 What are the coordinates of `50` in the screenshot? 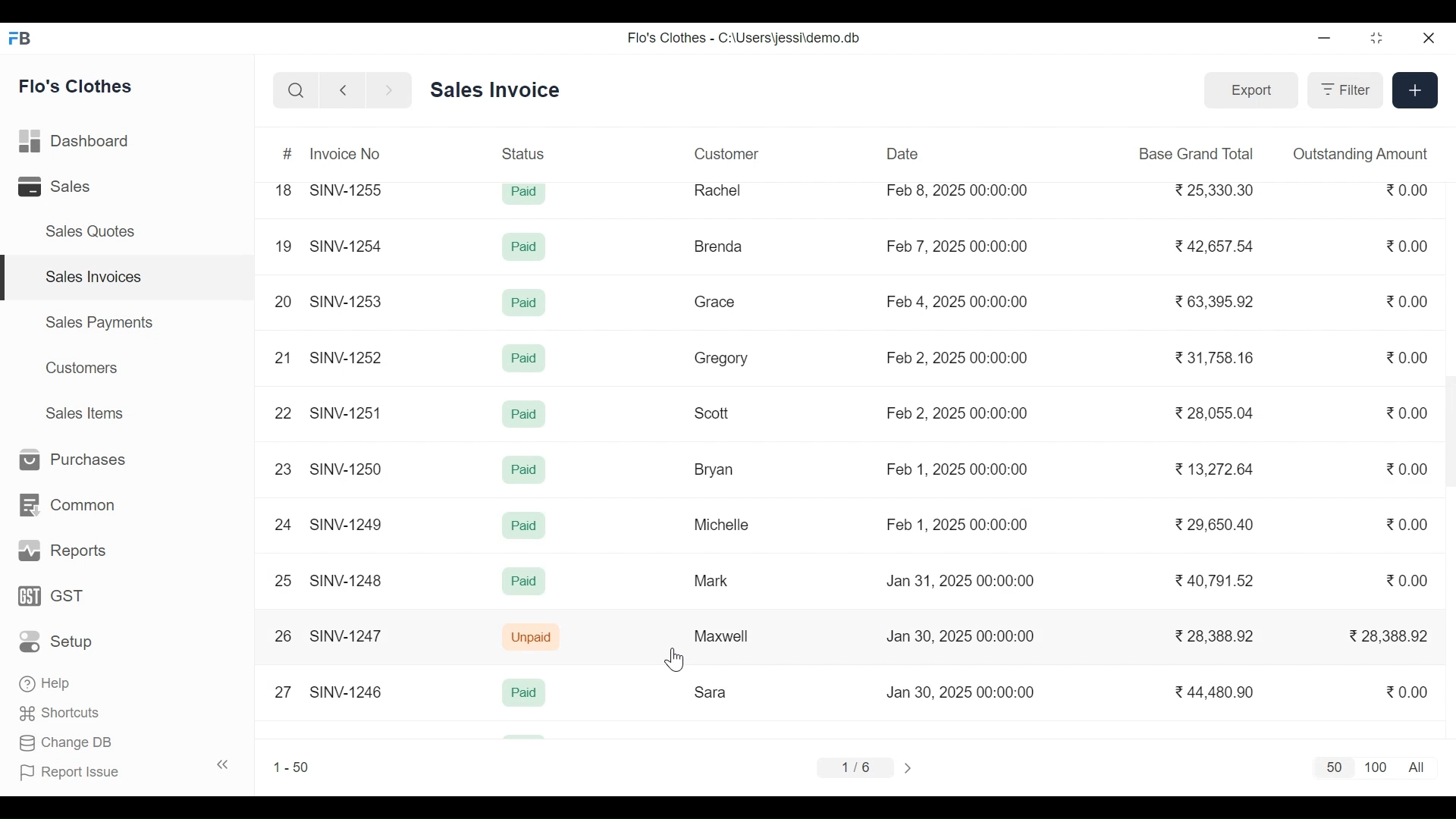 It's located at (1331, 768).